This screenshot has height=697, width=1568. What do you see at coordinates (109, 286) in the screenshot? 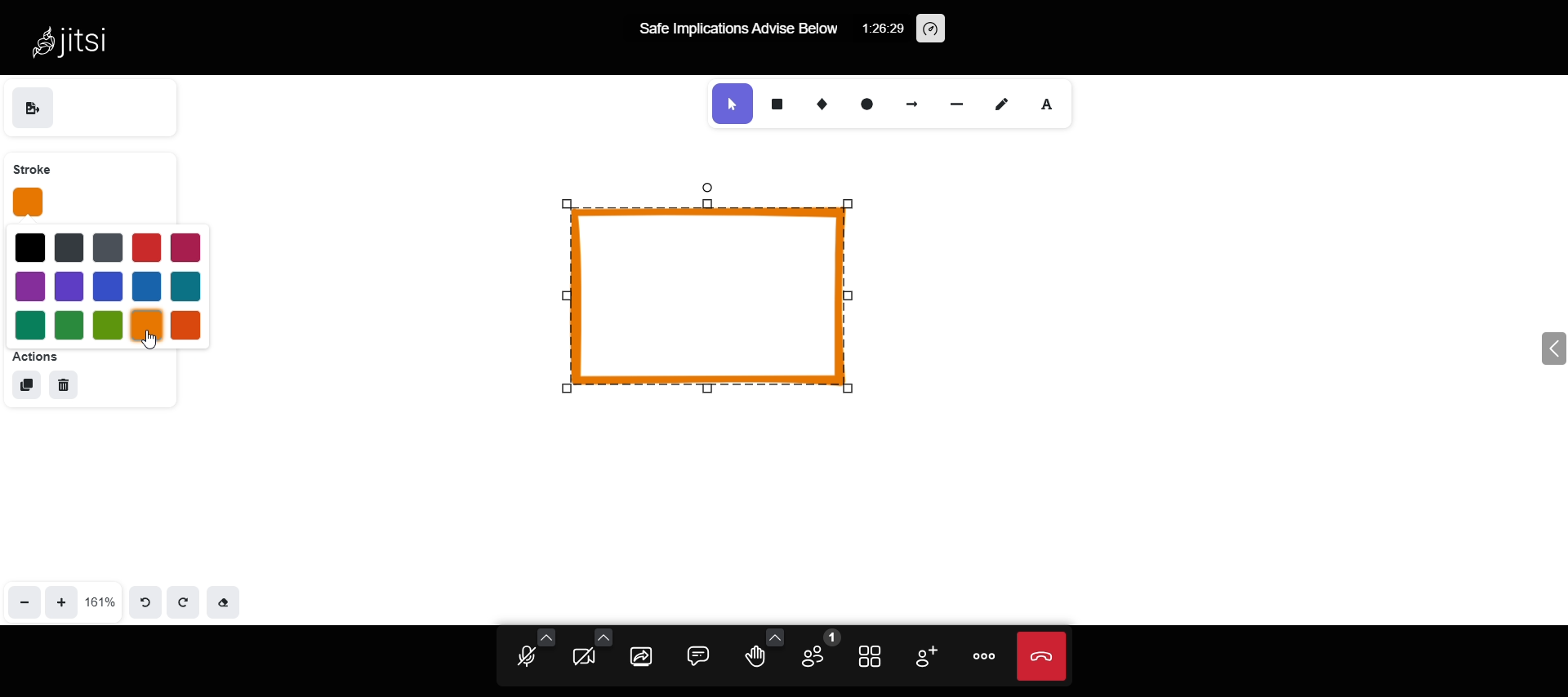
I see `blue 5` at bounding box center [109, 286].